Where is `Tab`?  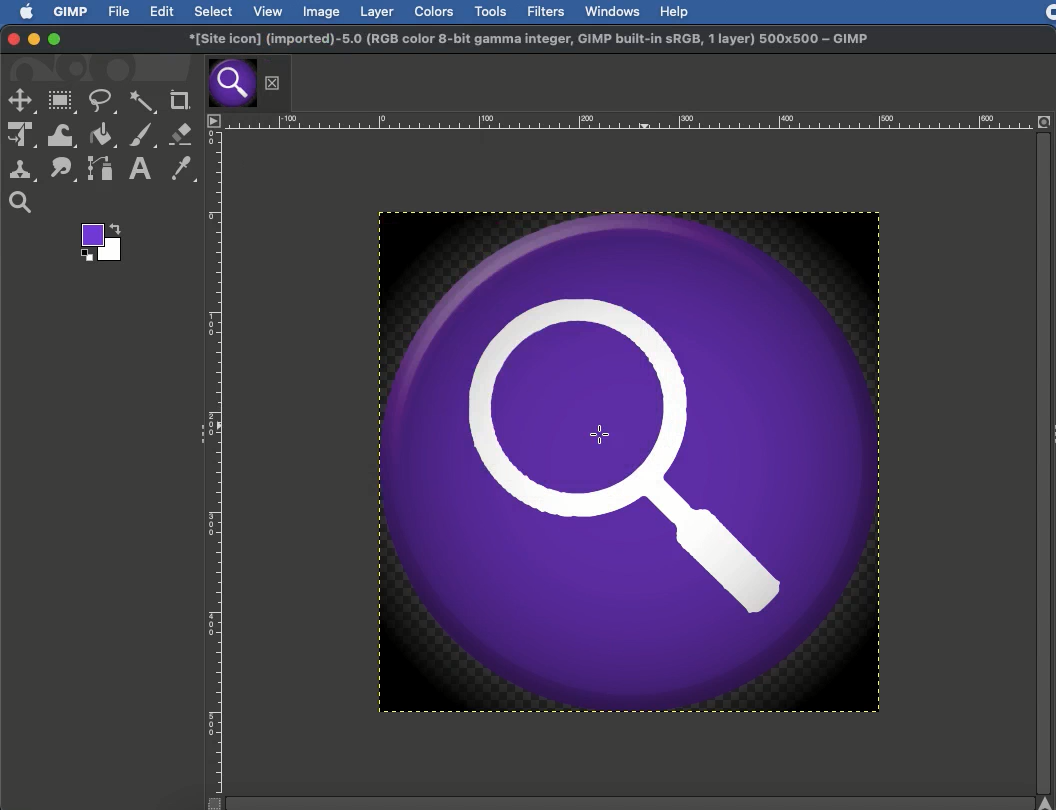 Tab is located at coordinates (231, 83).